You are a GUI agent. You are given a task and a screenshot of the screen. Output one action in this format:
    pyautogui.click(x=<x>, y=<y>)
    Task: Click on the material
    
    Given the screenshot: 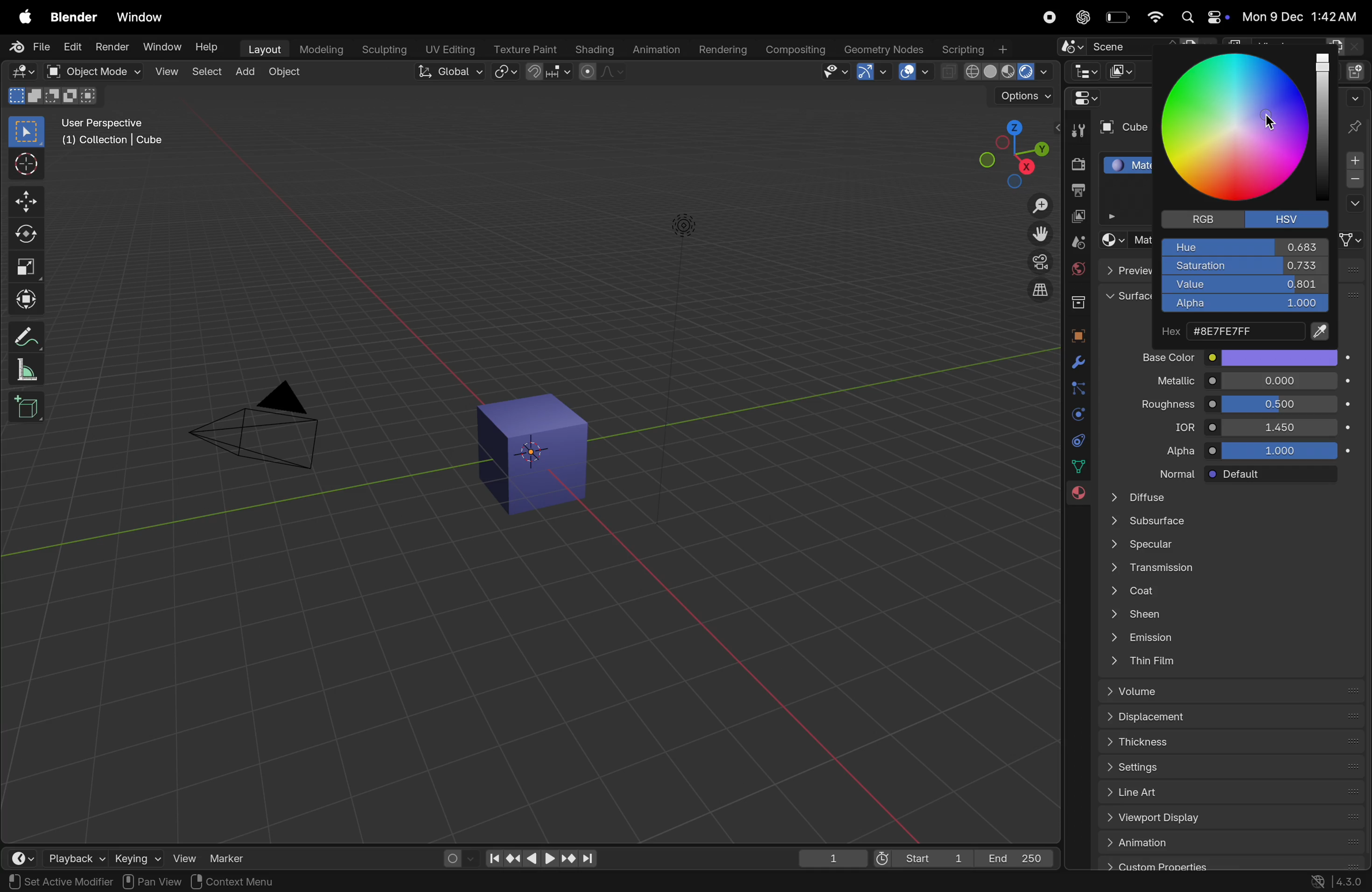 What is the action you would take?
    pyautogui.click(x=1077, y=497)
    